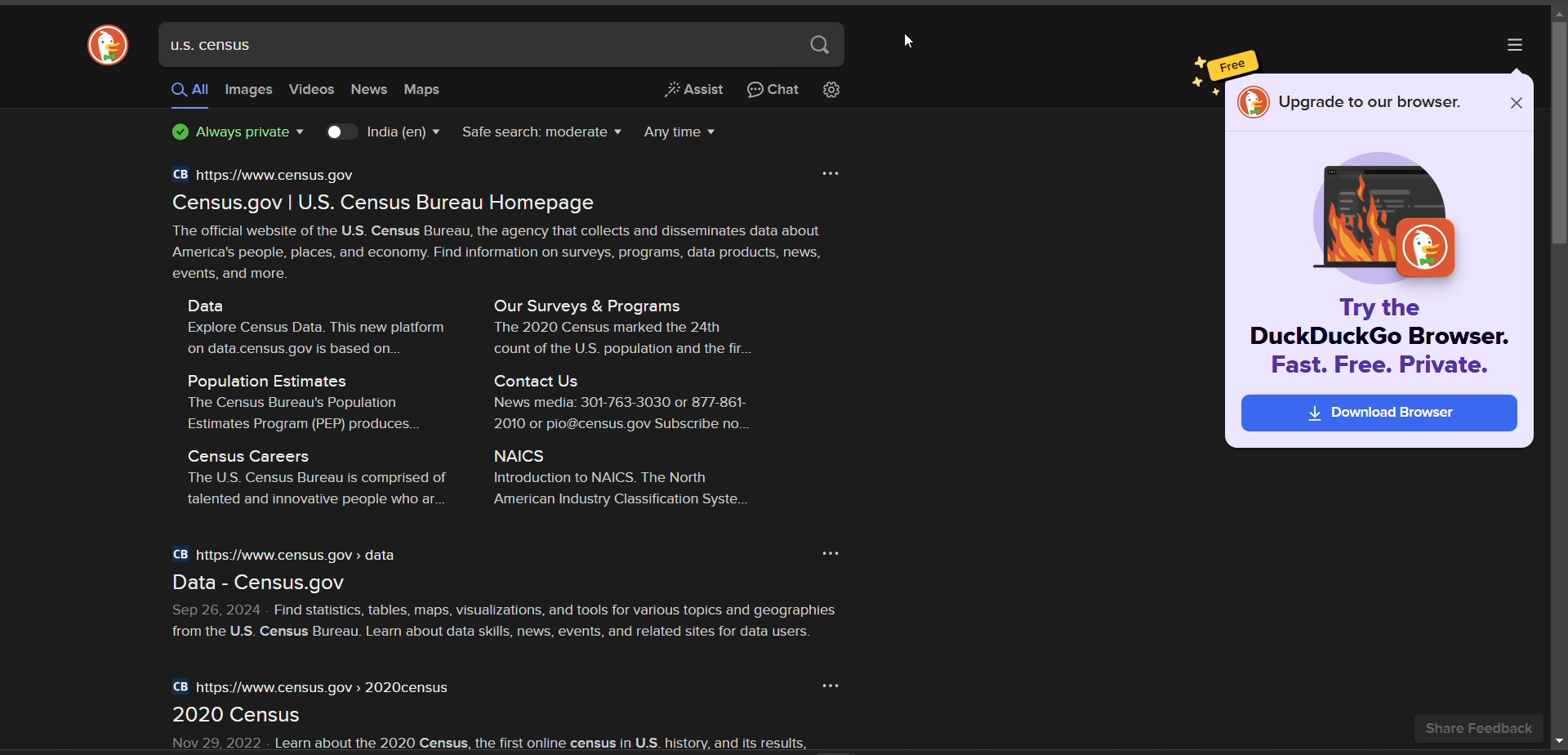 This screenshot has width=1568, height=755. Describe the element at coordinates (306, 338) in the screenshot. I see `Explore Census Data. This new platform
on data.census.gov is based on...` at that location.